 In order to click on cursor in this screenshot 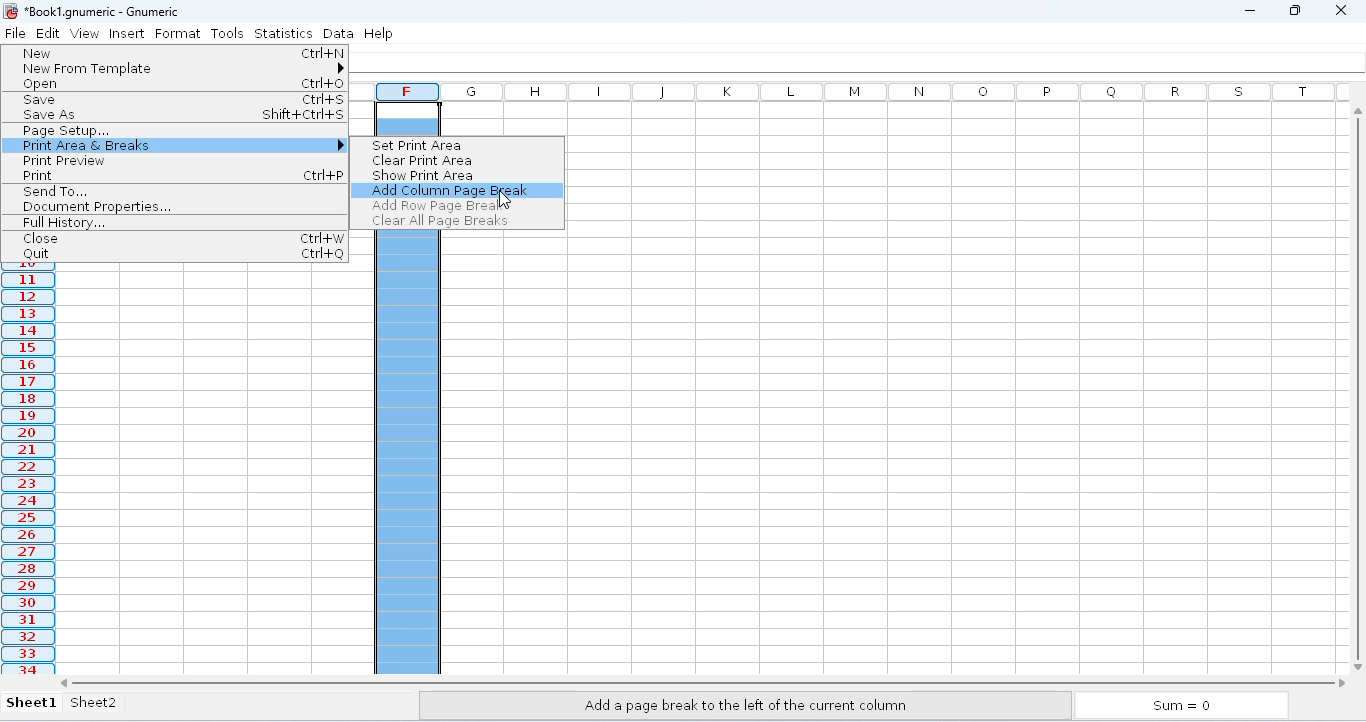, I will do `click(505, 201)`.